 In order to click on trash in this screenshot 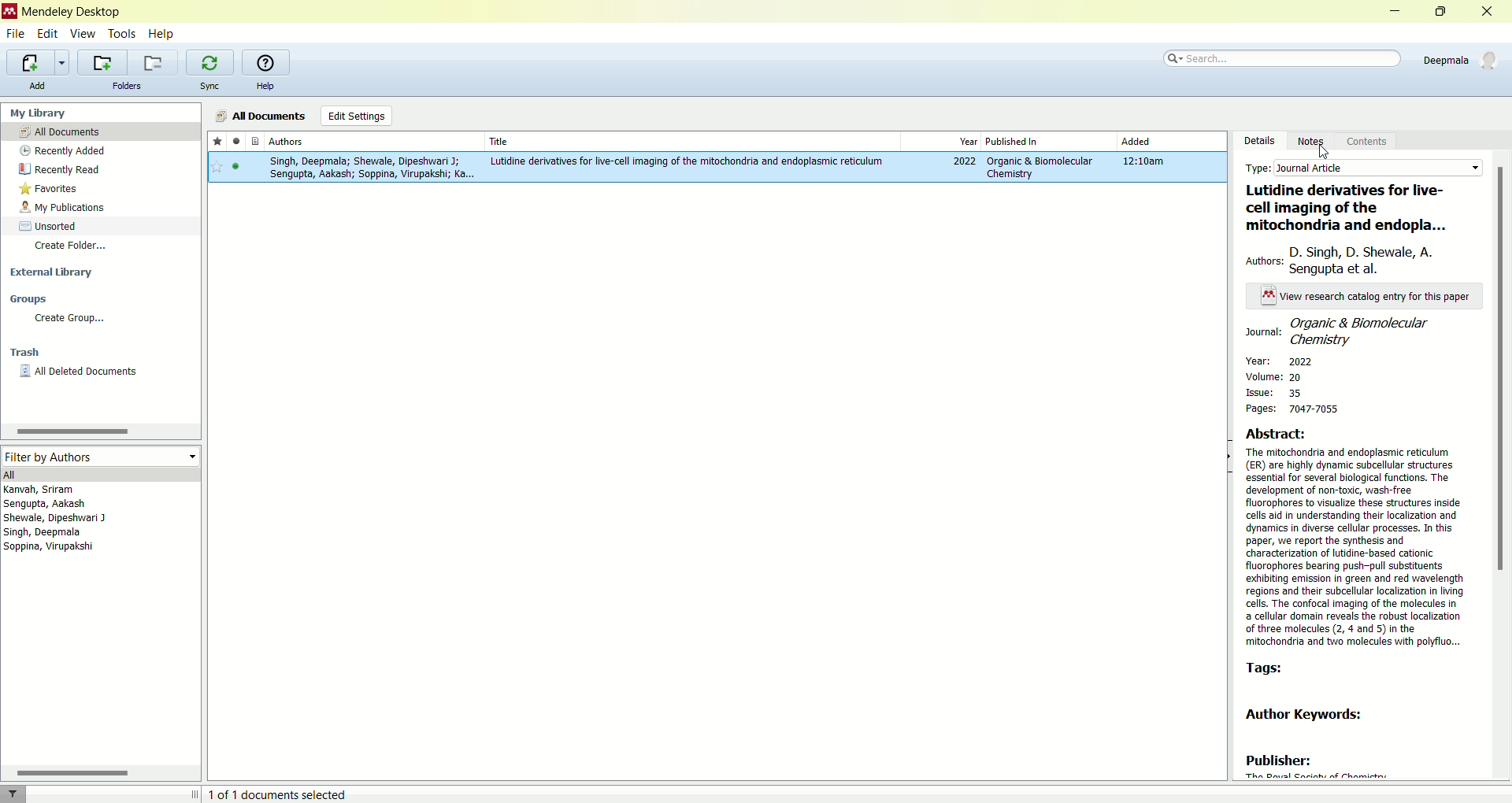, I will do `click(101, 352)`.